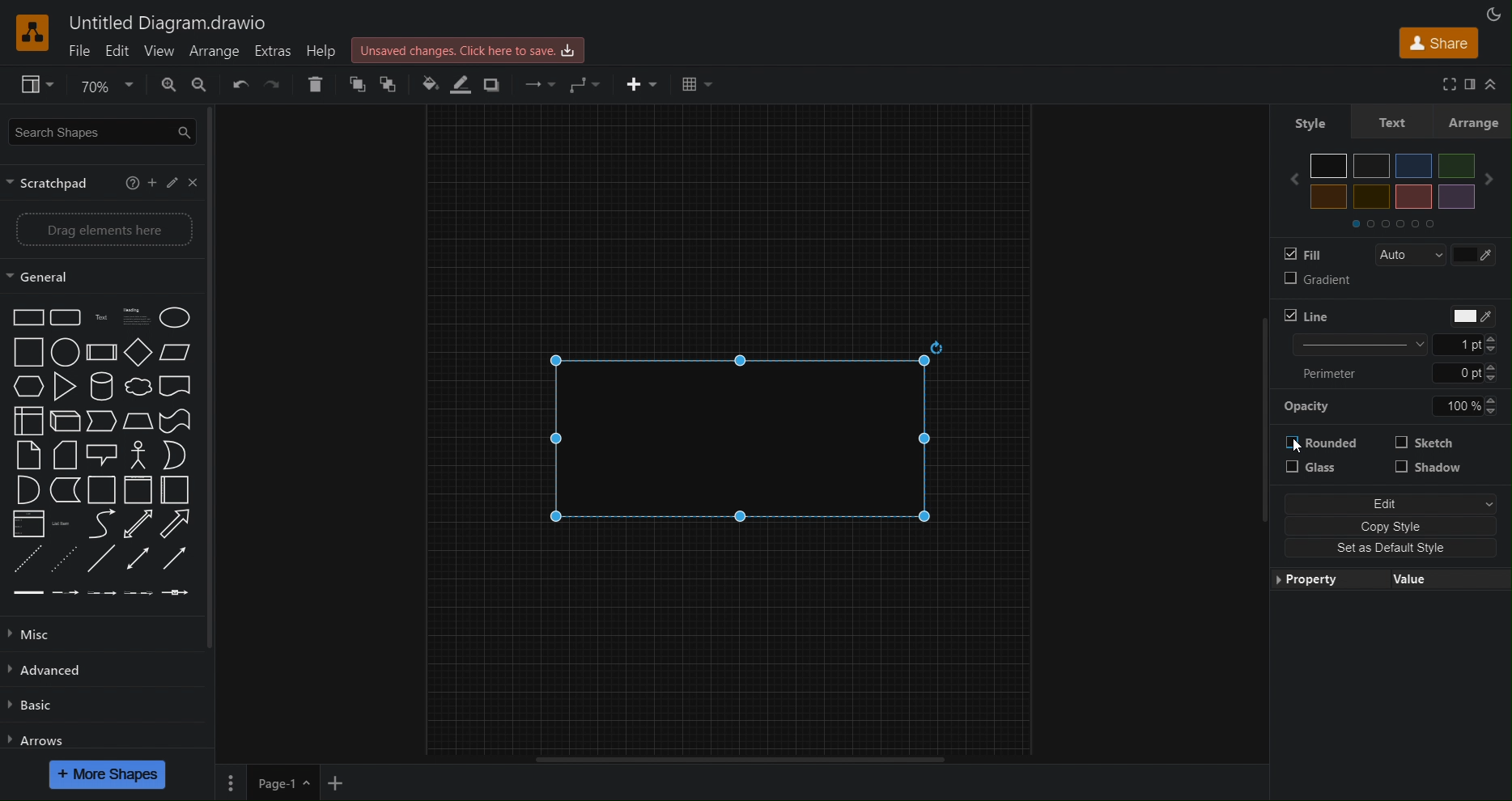  I want to click on Line, so click(1306, 316).